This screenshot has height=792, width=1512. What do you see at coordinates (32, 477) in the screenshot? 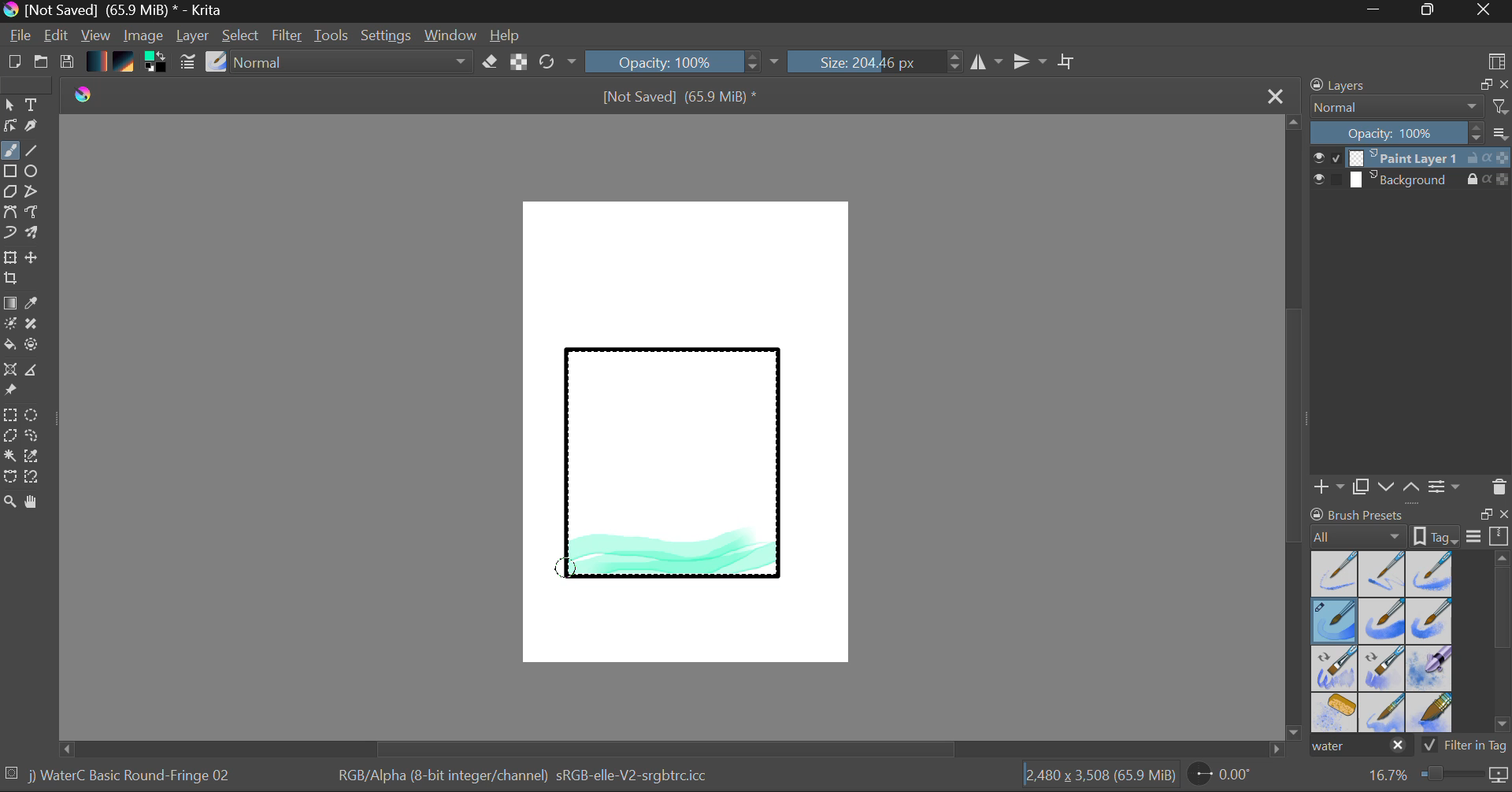
I see `Magnetic Selection Tool` at bounding box center [32, 477].